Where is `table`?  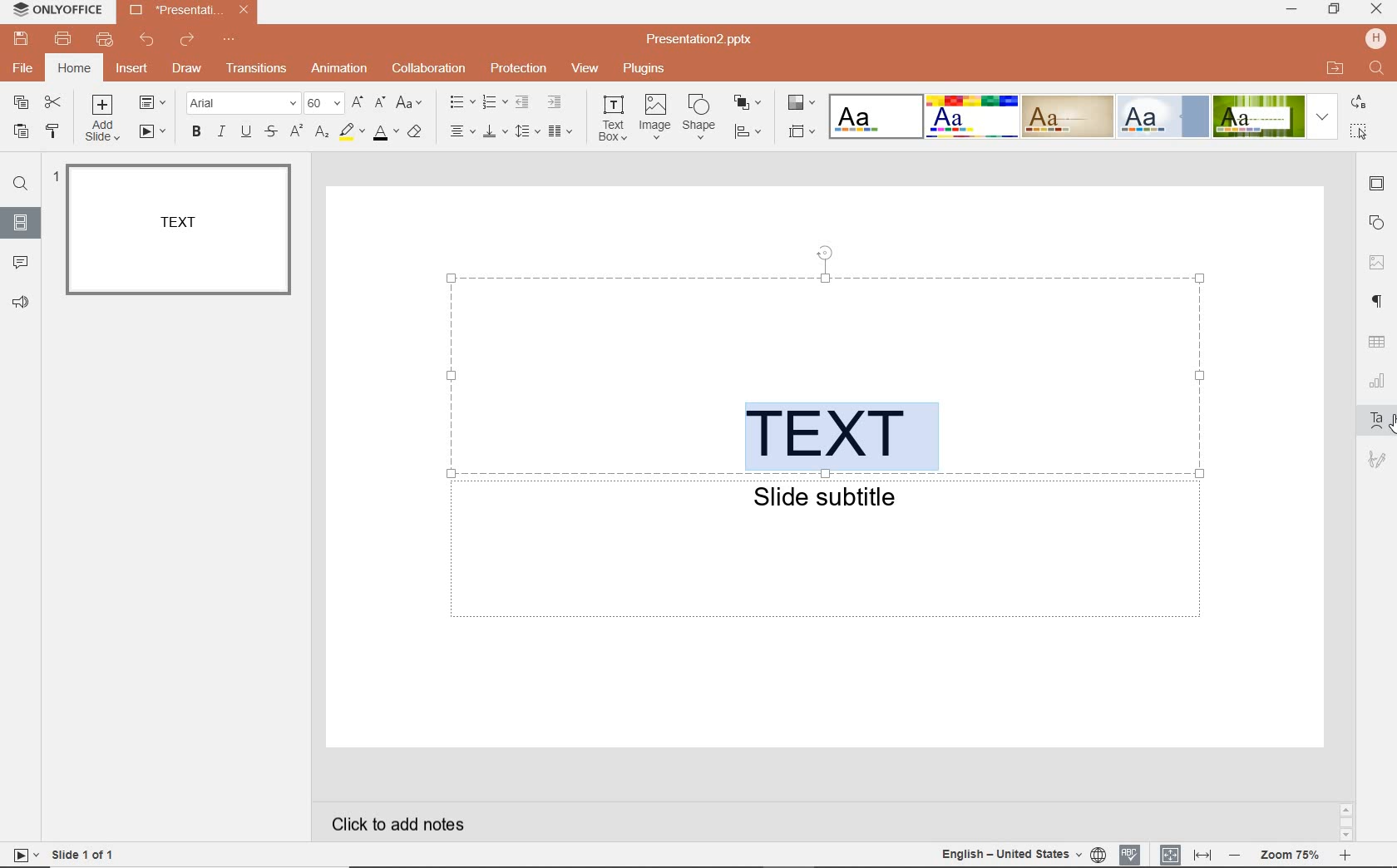 table is located at coordinates (1378, 343).